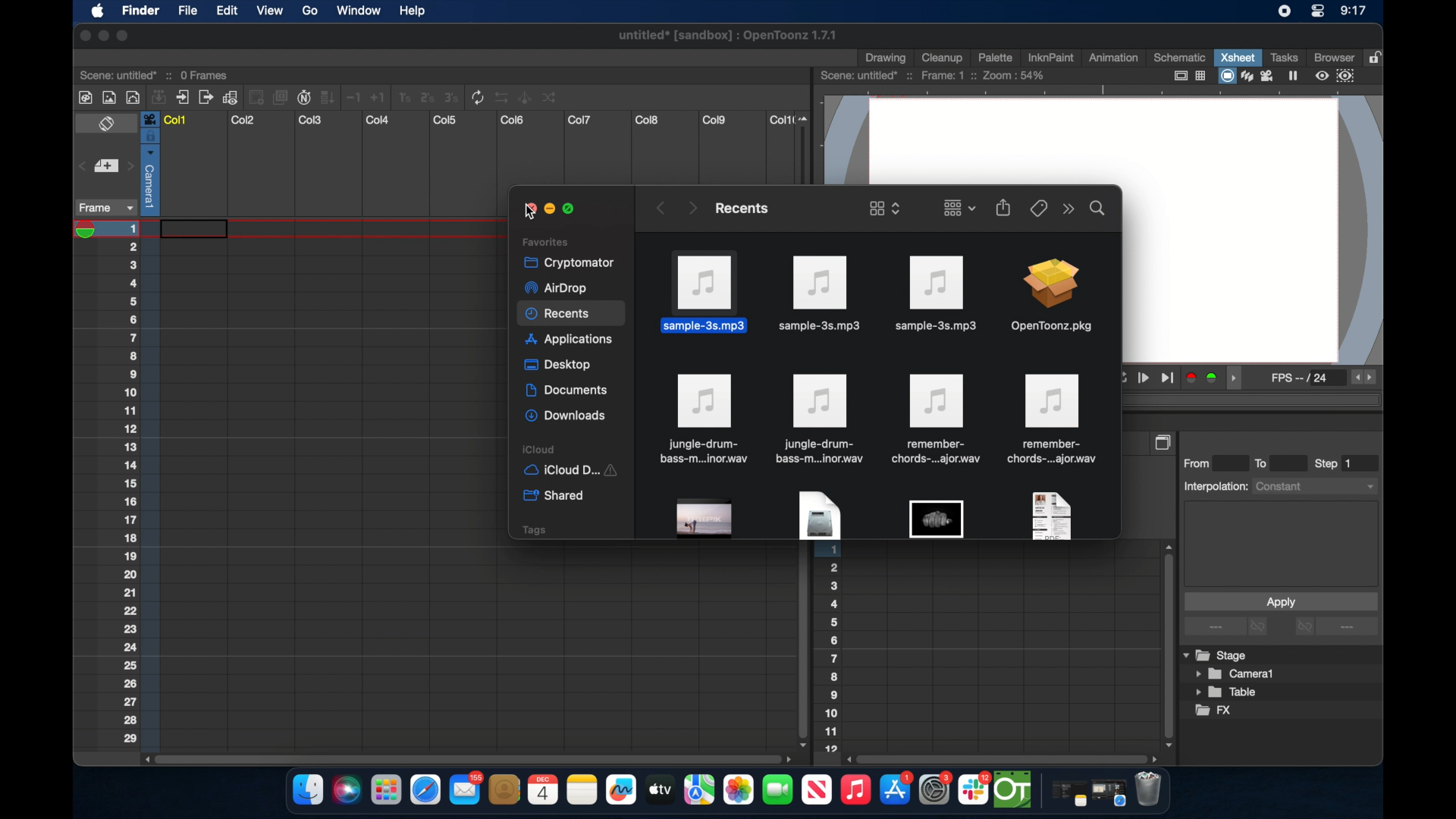 This screenshot has width=1456, height=819. I want to click on cleanup, so click(943, 56).